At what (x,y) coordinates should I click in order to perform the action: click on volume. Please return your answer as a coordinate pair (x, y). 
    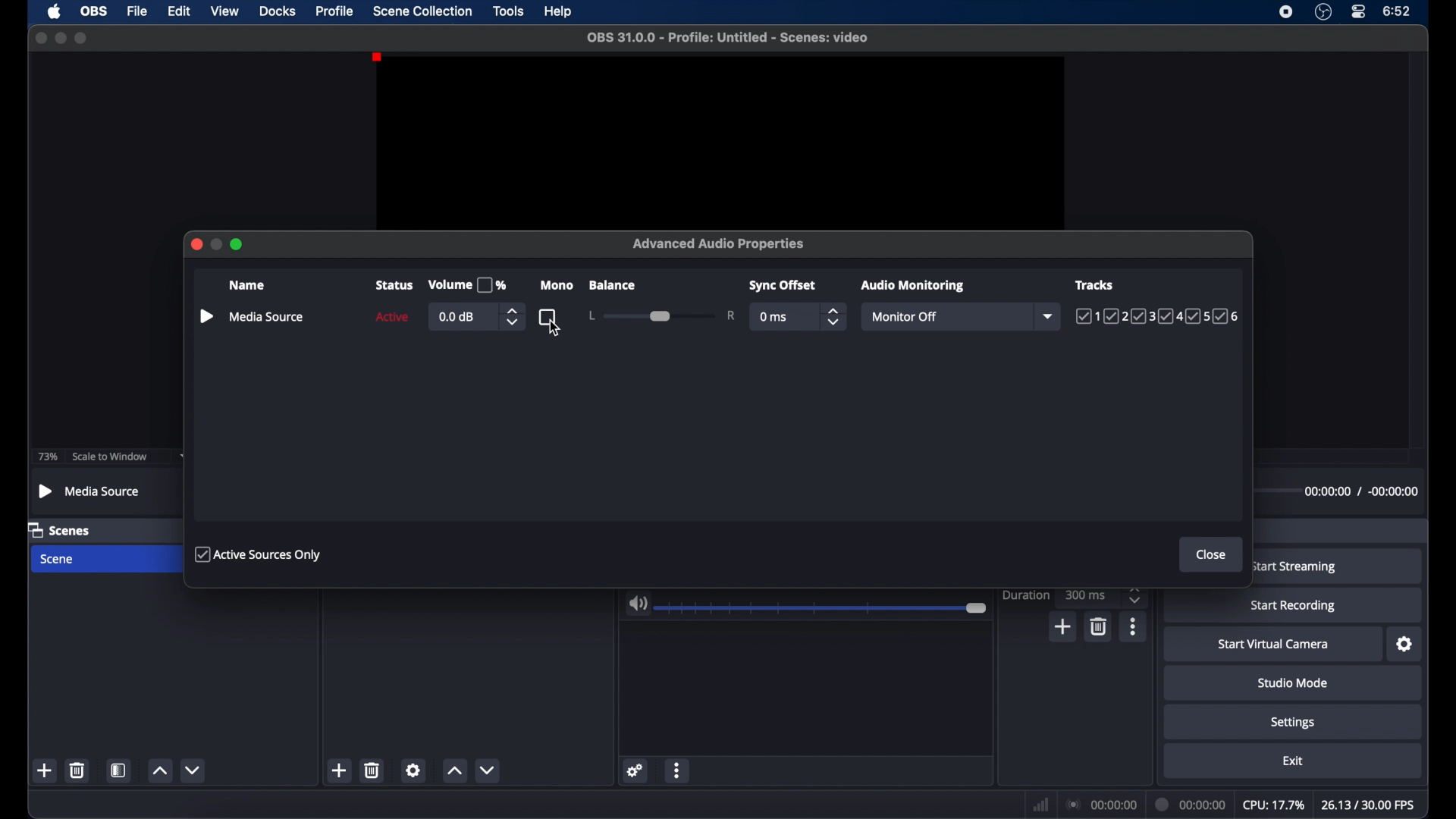
    Looking at the image, I should click on (638, 604).